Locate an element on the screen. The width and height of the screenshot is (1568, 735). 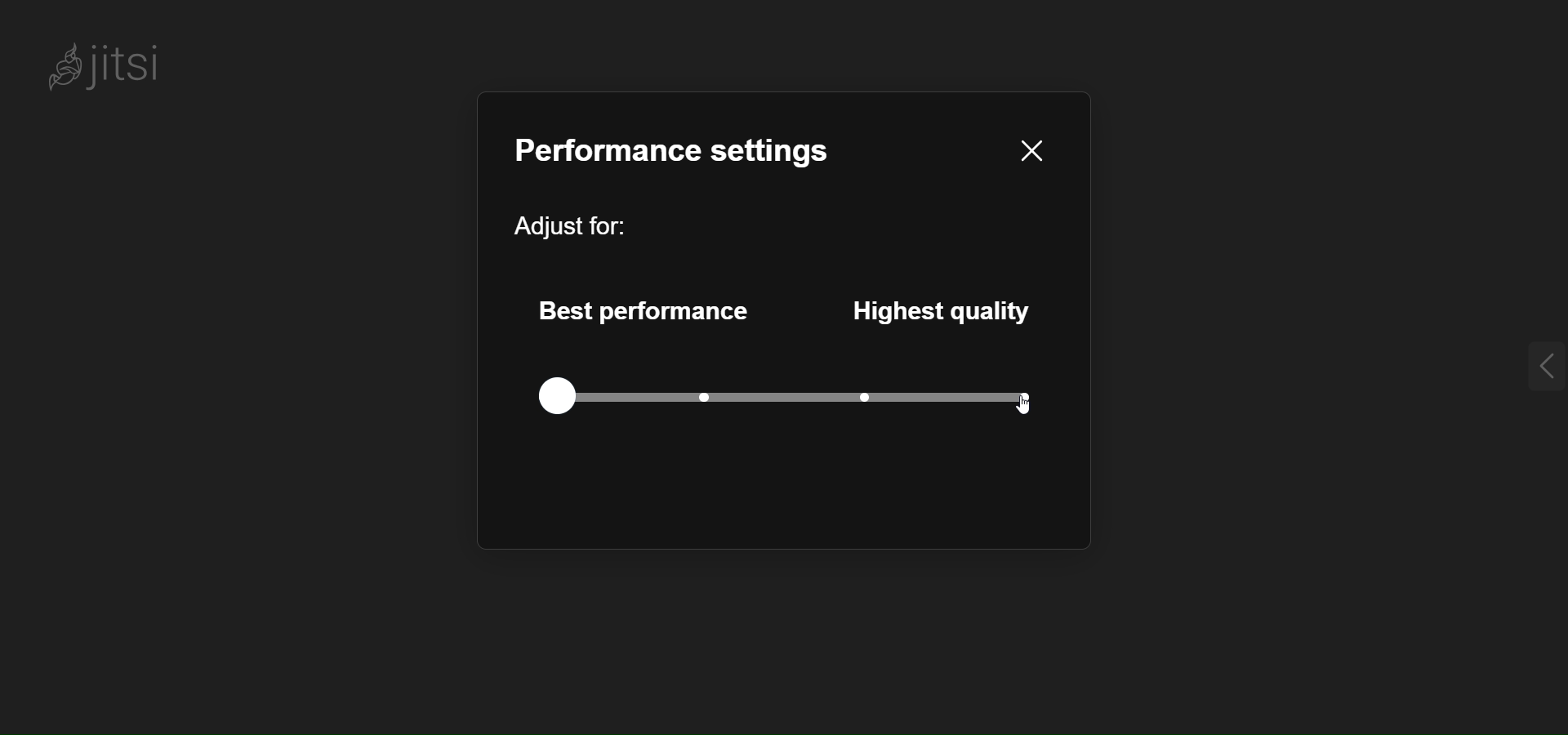
adjust for is located at coordinates (569, 220).